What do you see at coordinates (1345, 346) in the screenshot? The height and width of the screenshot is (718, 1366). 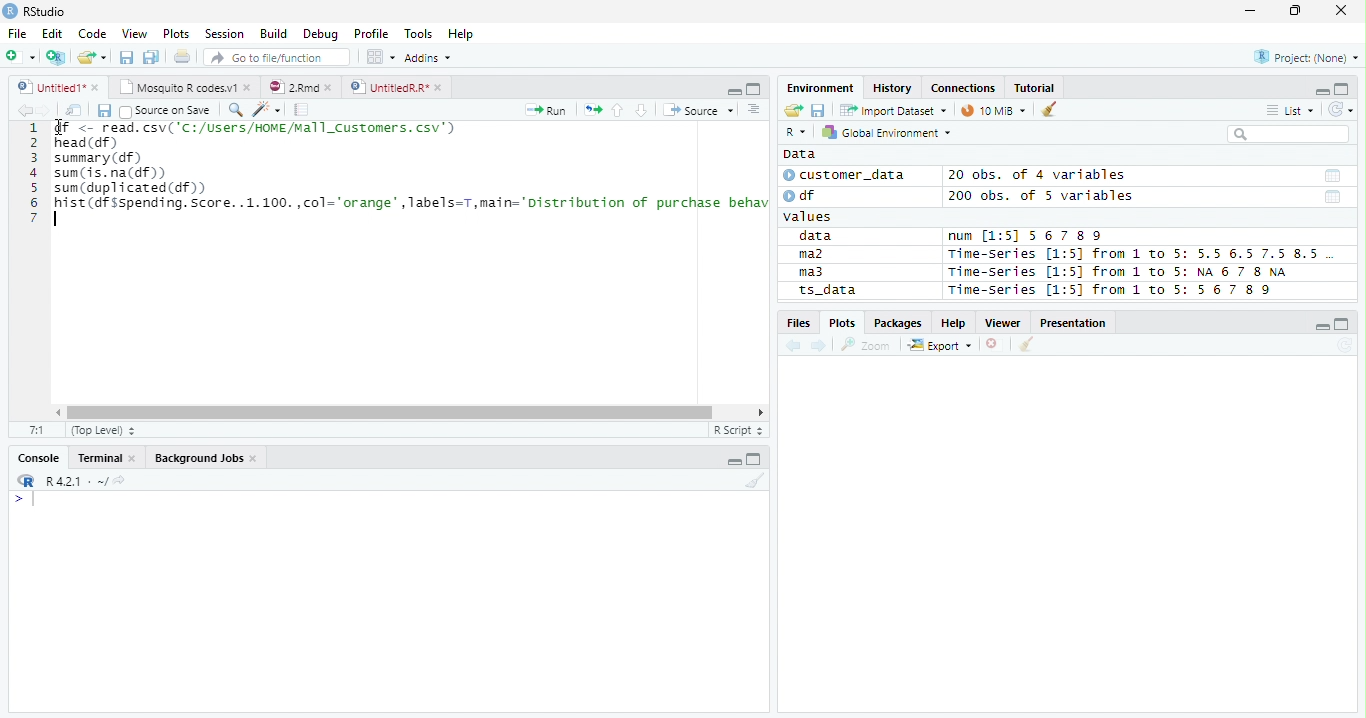 I see `Refresh` at bounding box center [1345, 346].